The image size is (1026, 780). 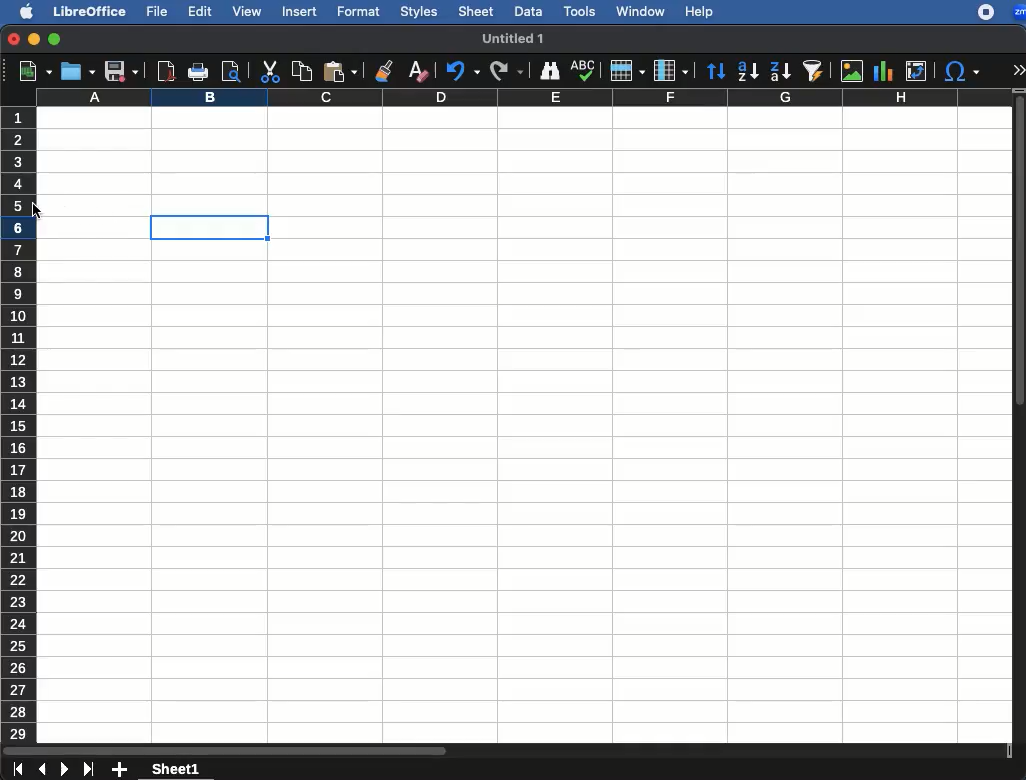 I want to click on column , so click(x=669, y=70).